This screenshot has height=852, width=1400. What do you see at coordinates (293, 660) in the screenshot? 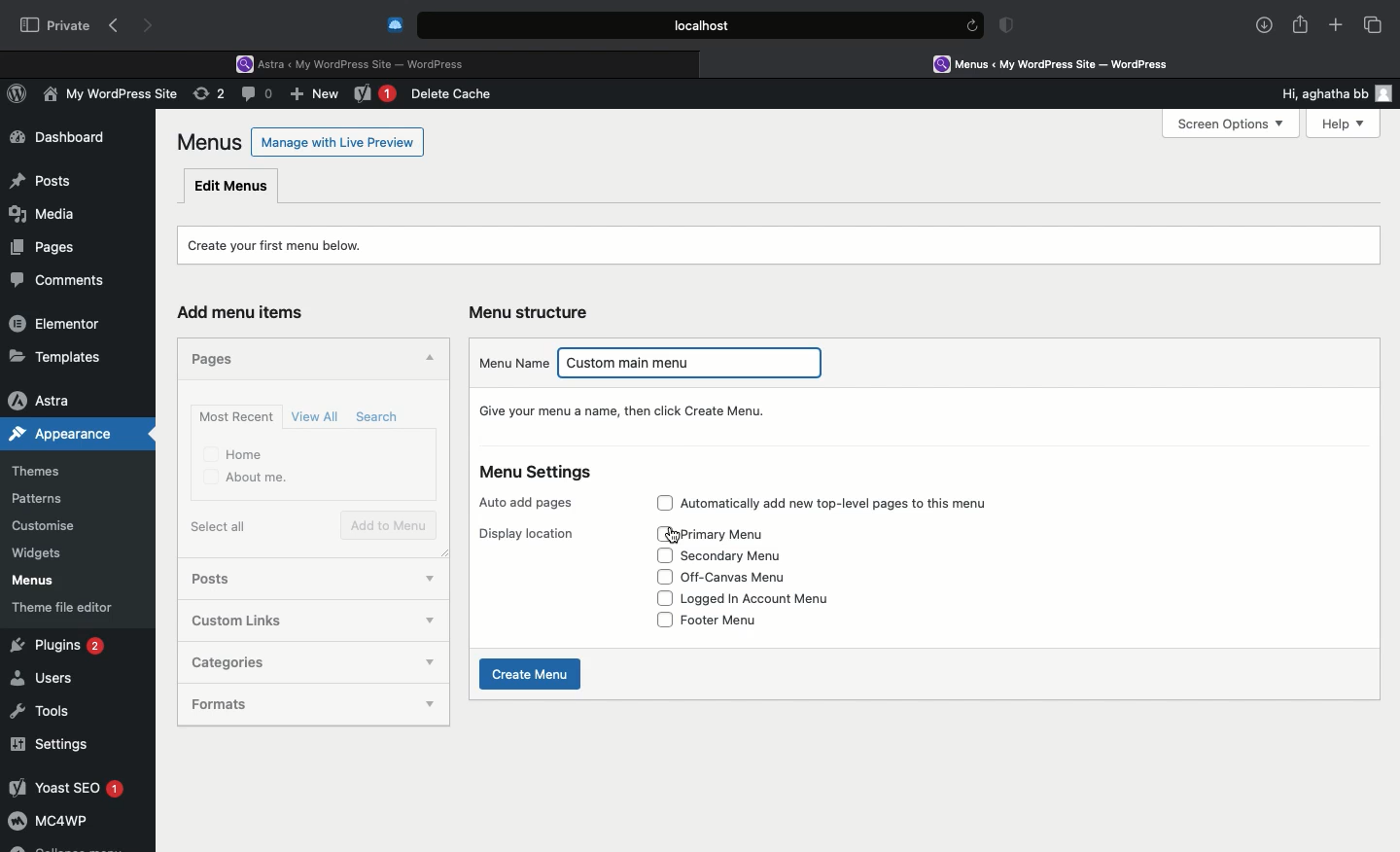
I see `Categories` at bounding box center [293, 660].